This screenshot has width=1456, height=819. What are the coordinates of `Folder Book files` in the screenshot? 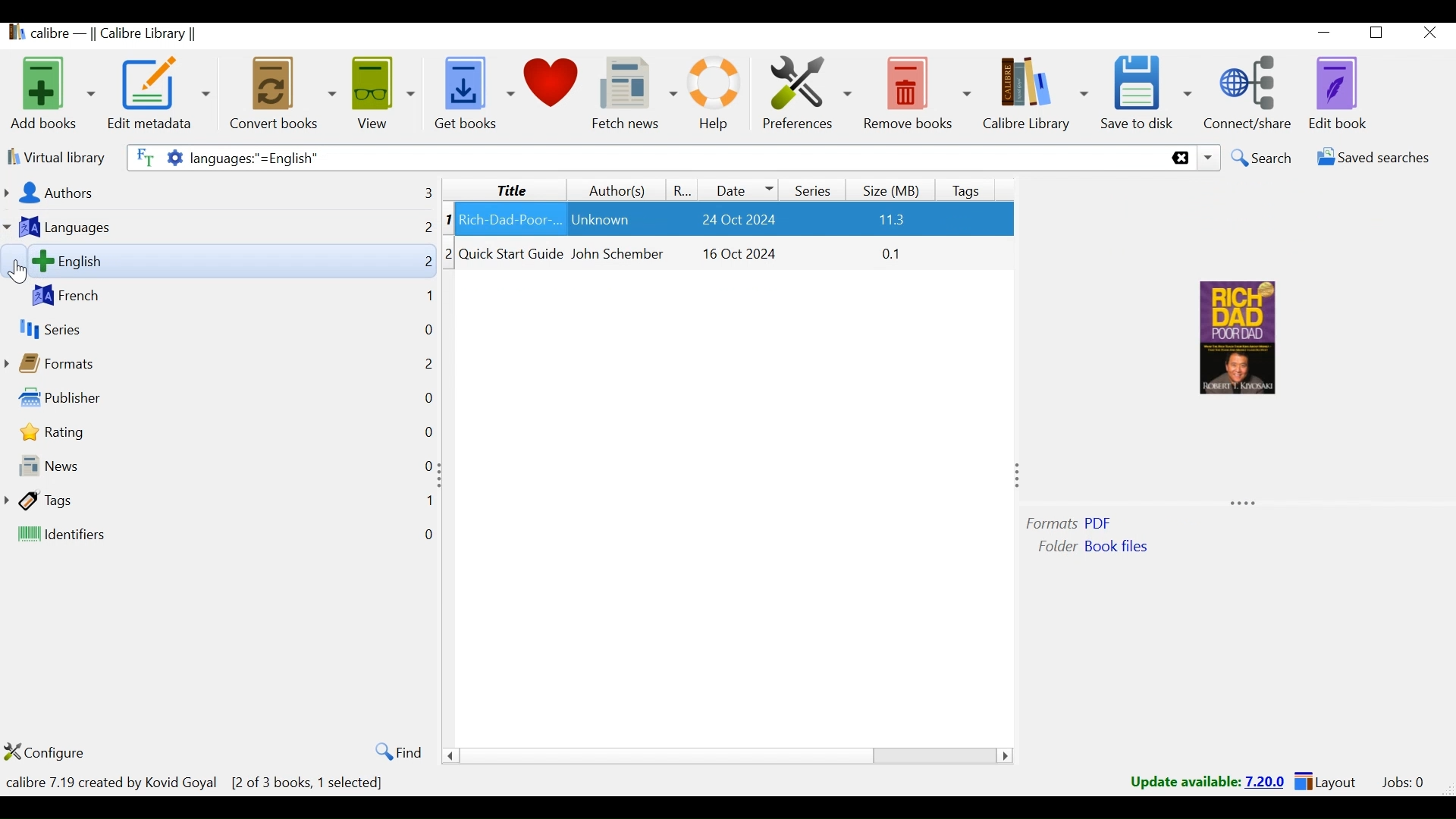 It's located at (1097, 551).